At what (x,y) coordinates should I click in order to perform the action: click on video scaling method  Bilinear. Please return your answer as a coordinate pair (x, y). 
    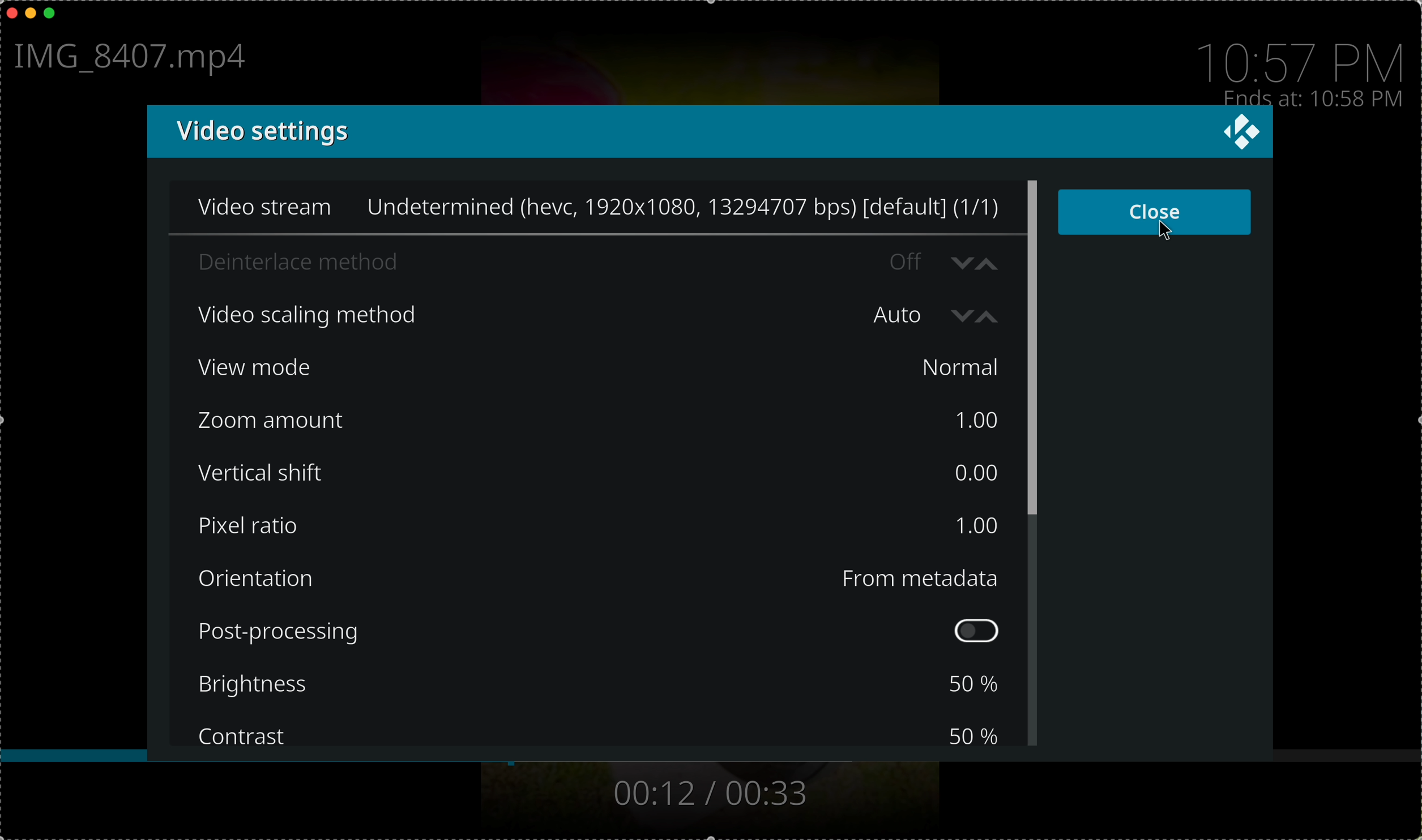
    Looking at the image, I should click on (551, 311).